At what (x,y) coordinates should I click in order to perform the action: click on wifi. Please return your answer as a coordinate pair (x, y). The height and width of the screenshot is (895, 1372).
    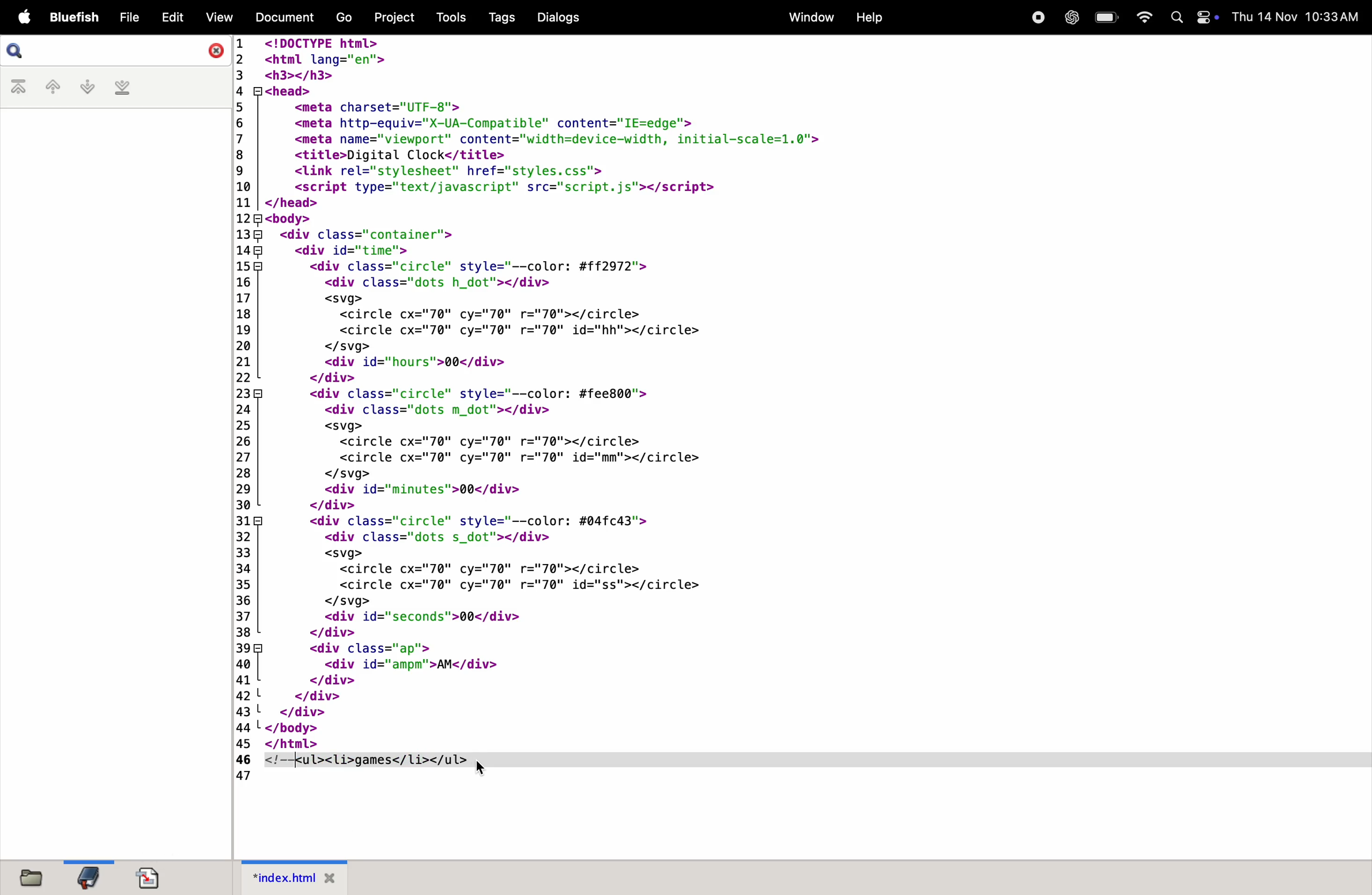
    Looking at the image, I should click on (1143, 16).